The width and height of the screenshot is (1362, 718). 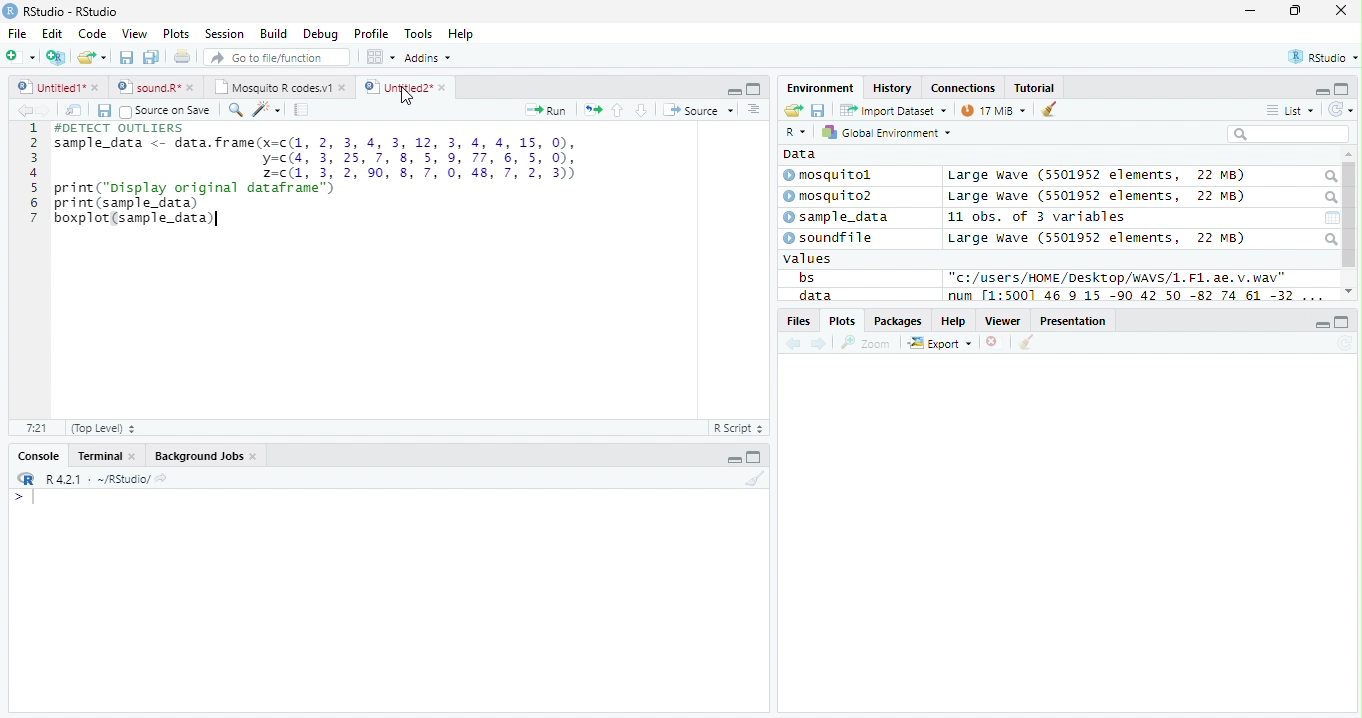 I want to click on Source on save, so click(x=165, y=112).